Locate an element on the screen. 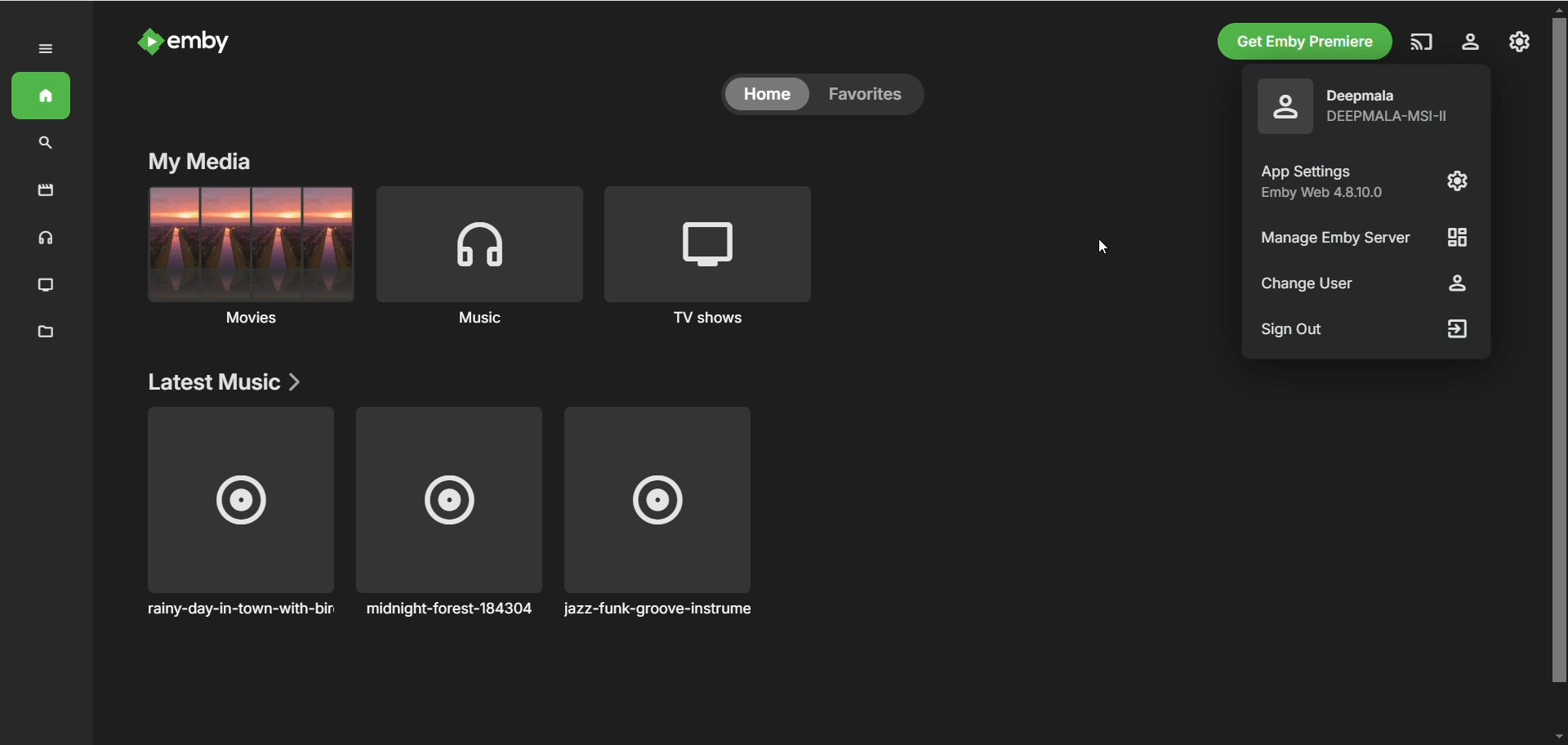  get emby premiere is located at coordinates (1305, 39).